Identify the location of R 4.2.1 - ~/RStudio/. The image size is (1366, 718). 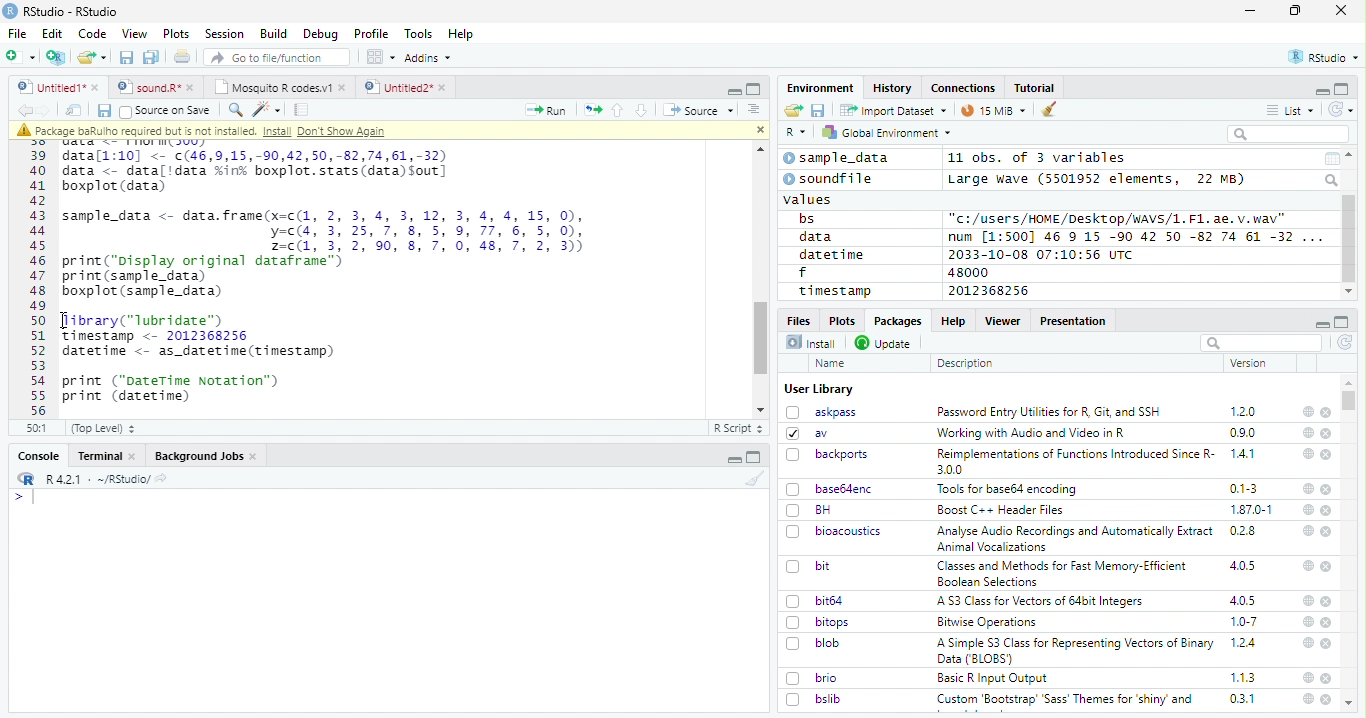
(95, 479).